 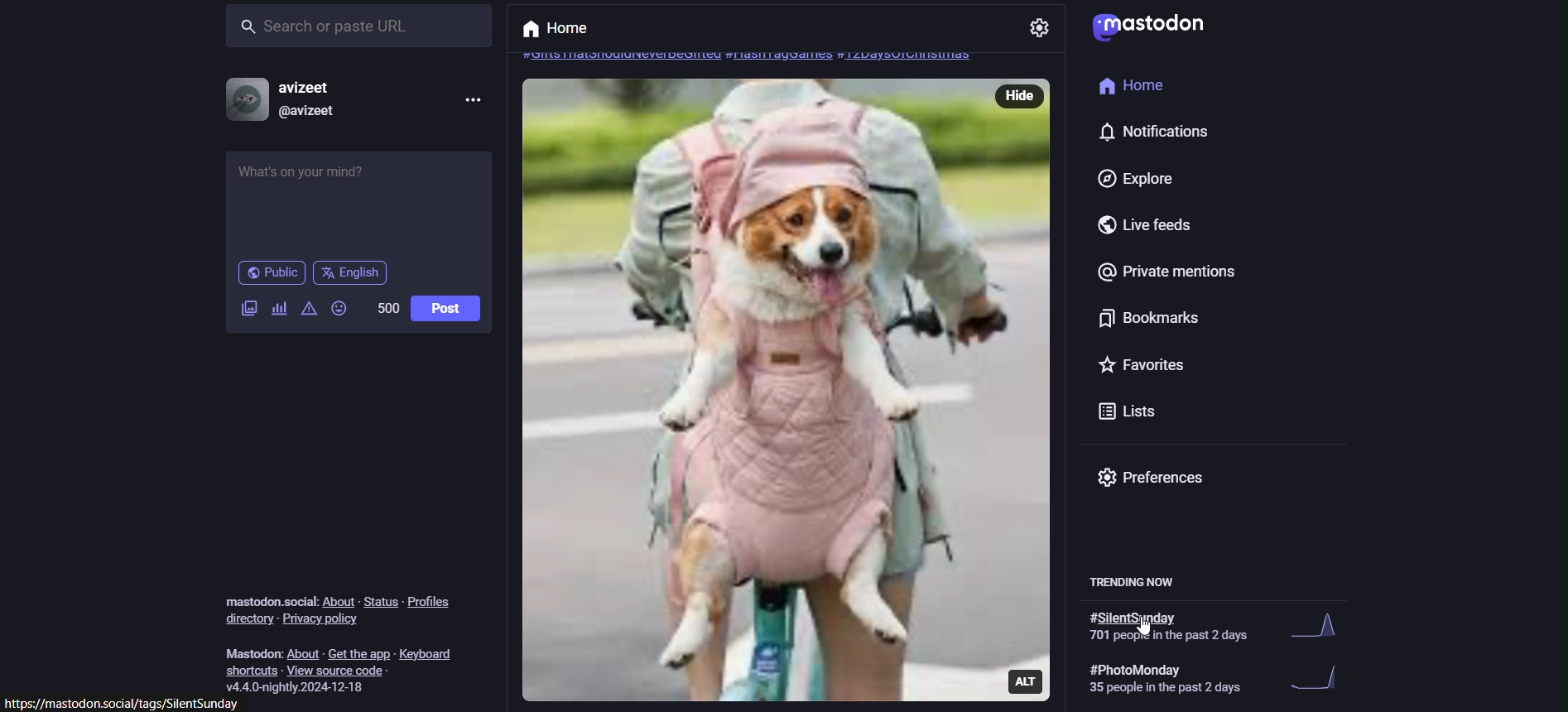 I want to click on https://mastodon.social/tags/SilentSunday, so click(x=129, y=703).